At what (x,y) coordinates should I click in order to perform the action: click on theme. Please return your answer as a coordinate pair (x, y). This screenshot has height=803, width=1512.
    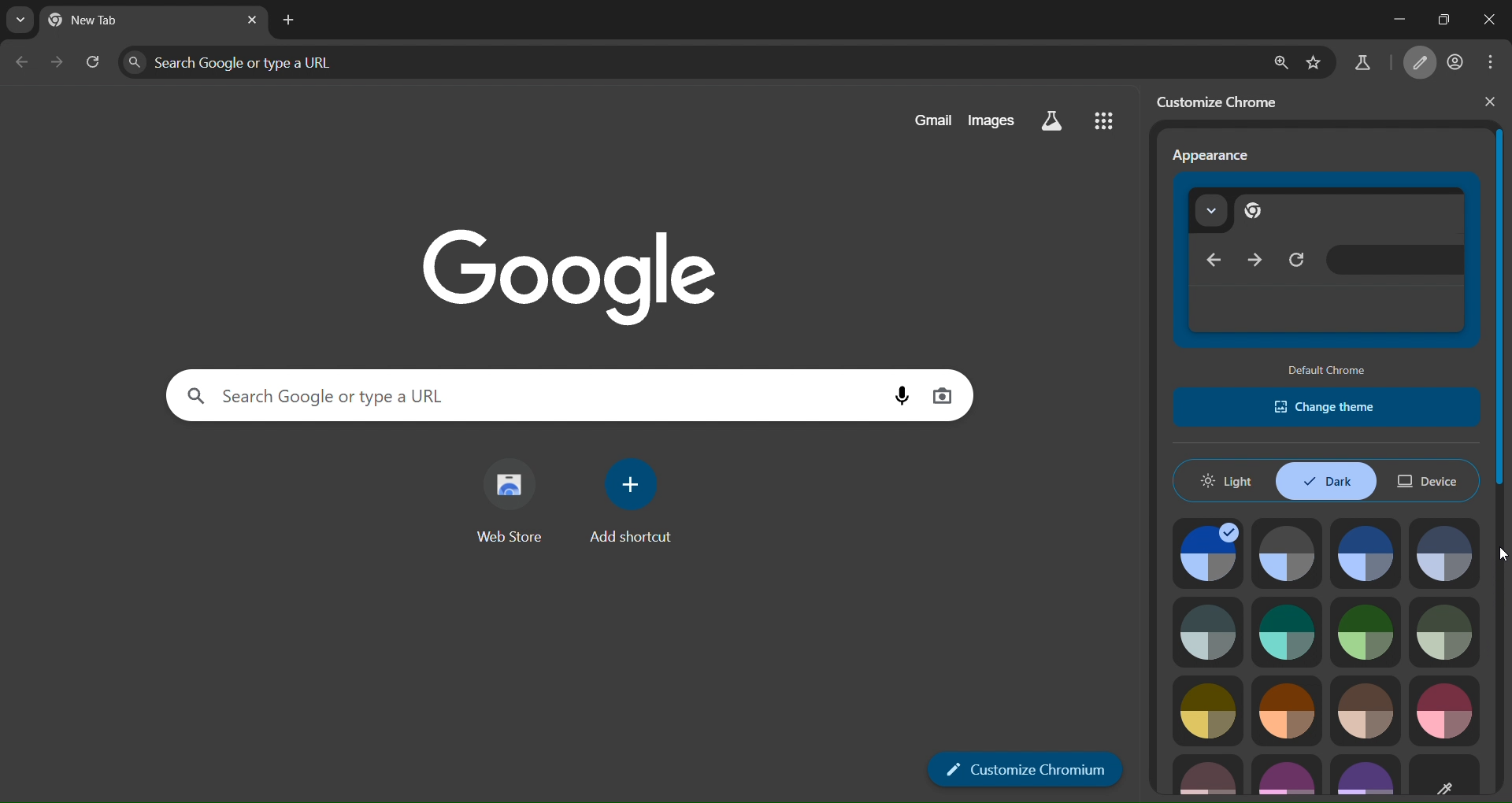
    Looking at the image, I should click on (1210, 631).